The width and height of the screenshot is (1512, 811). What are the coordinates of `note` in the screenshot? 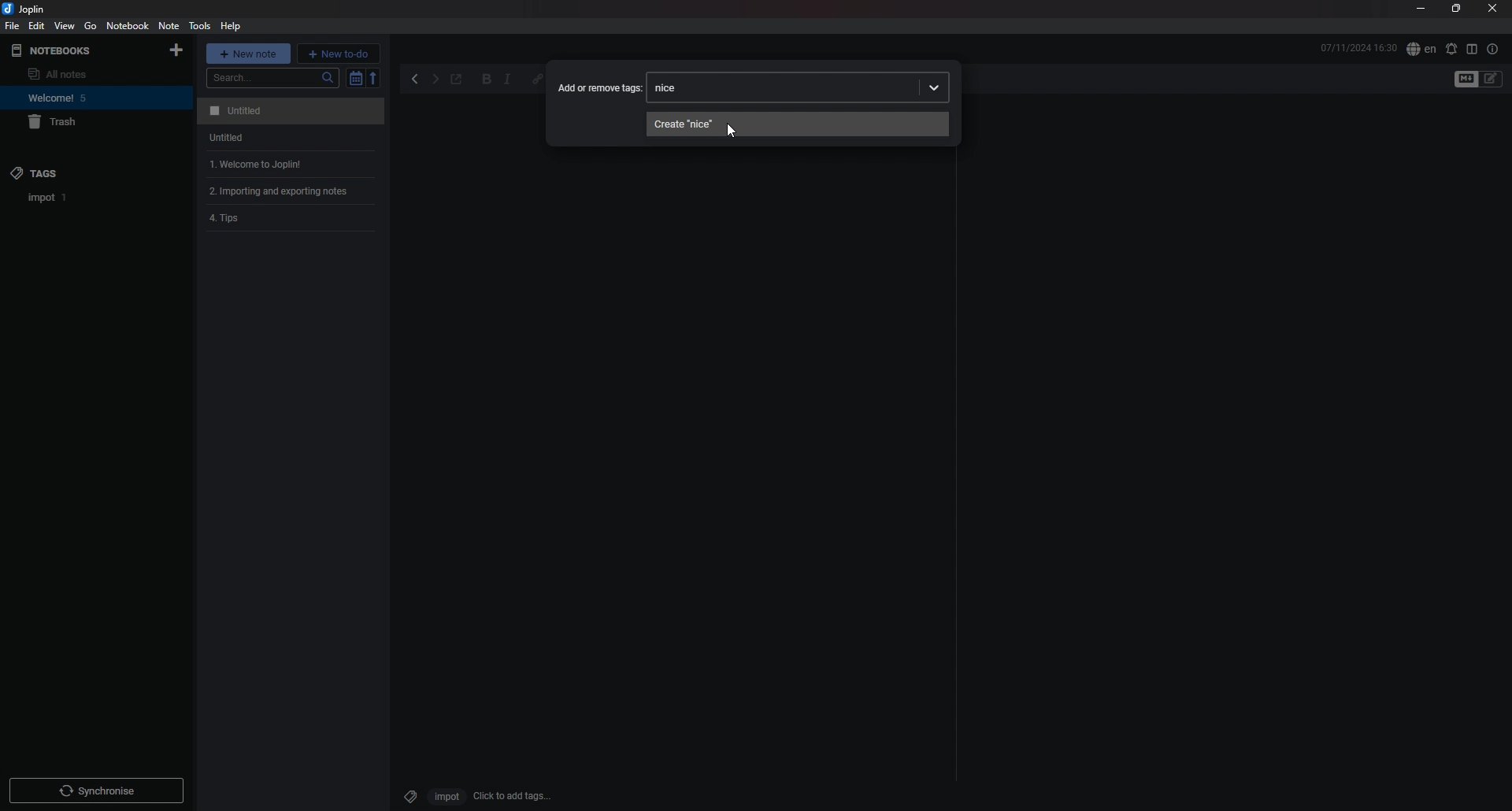 It's located at (169, 25).